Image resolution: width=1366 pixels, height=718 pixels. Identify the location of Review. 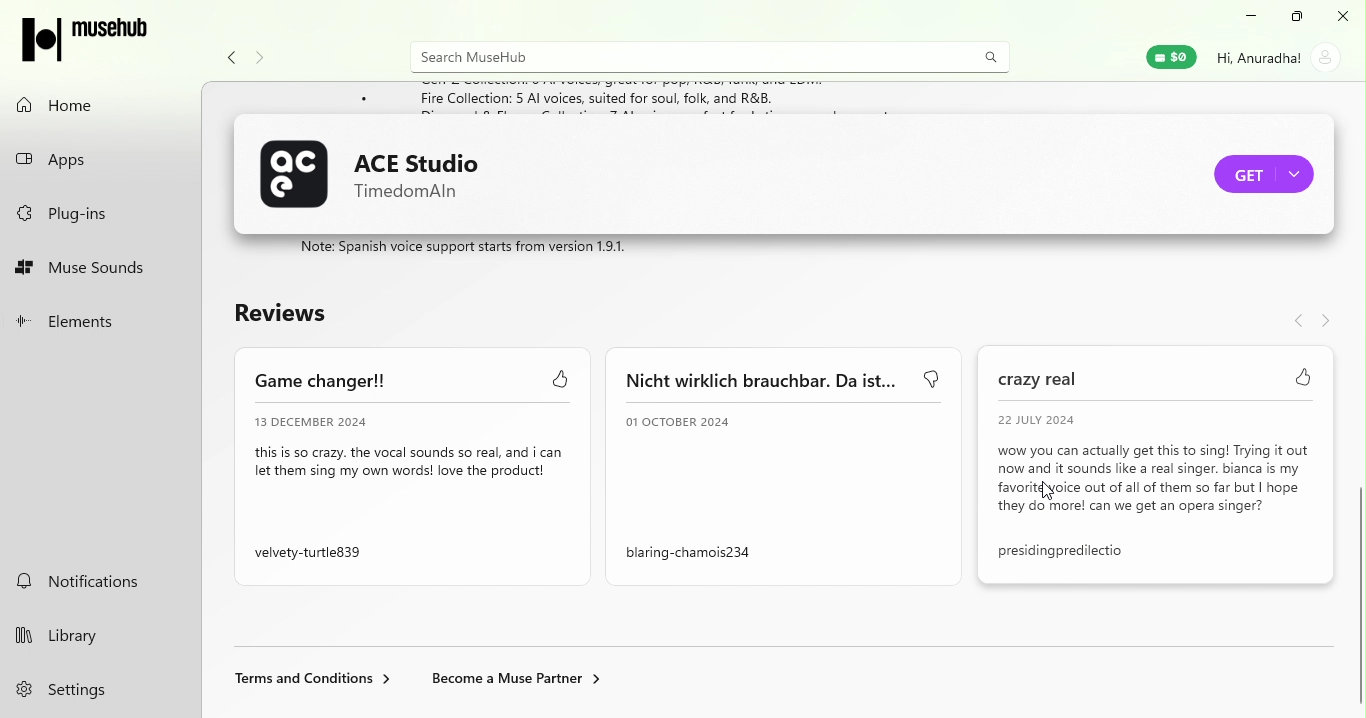
(1162, 475).